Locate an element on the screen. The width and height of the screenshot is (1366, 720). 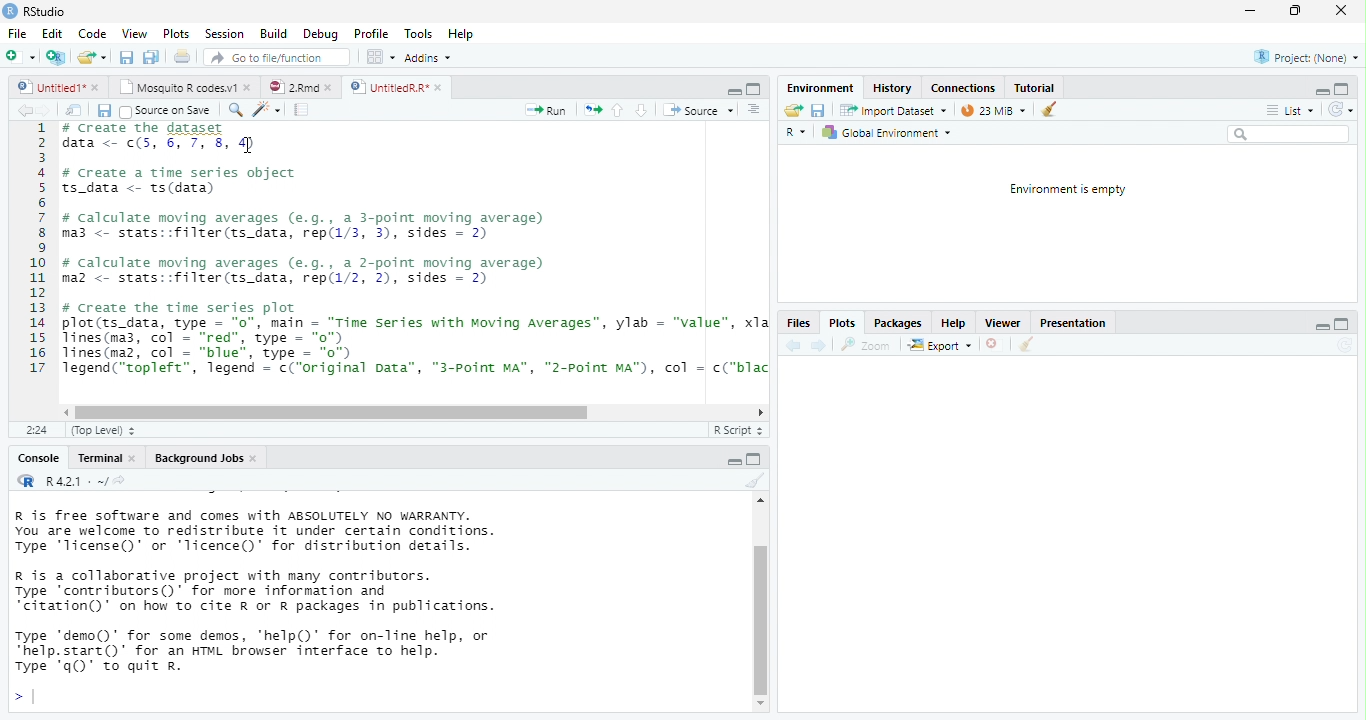
compile report is located at coordinates (303, 109).